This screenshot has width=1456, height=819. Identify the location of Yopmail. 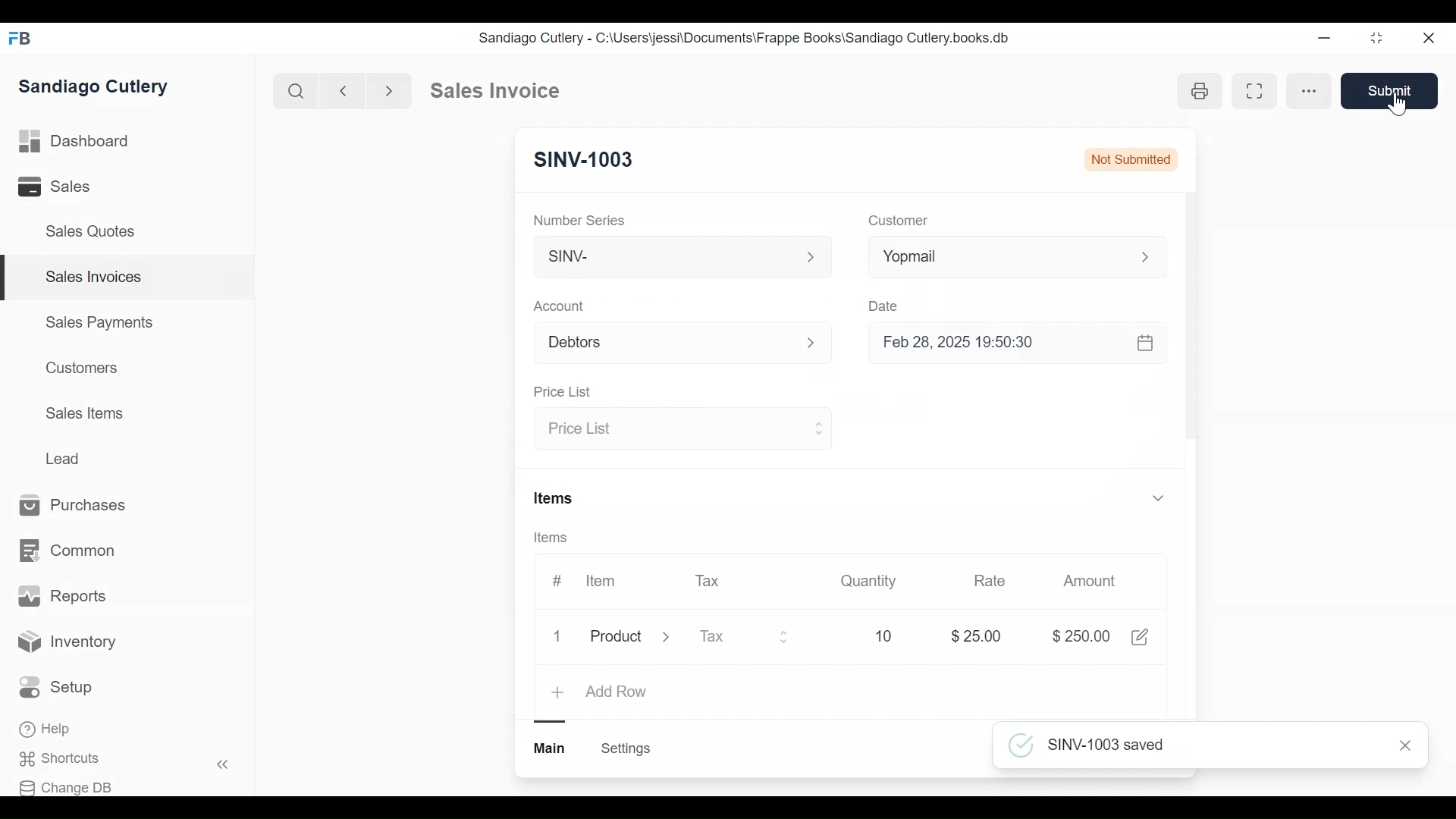
(1018, 256).